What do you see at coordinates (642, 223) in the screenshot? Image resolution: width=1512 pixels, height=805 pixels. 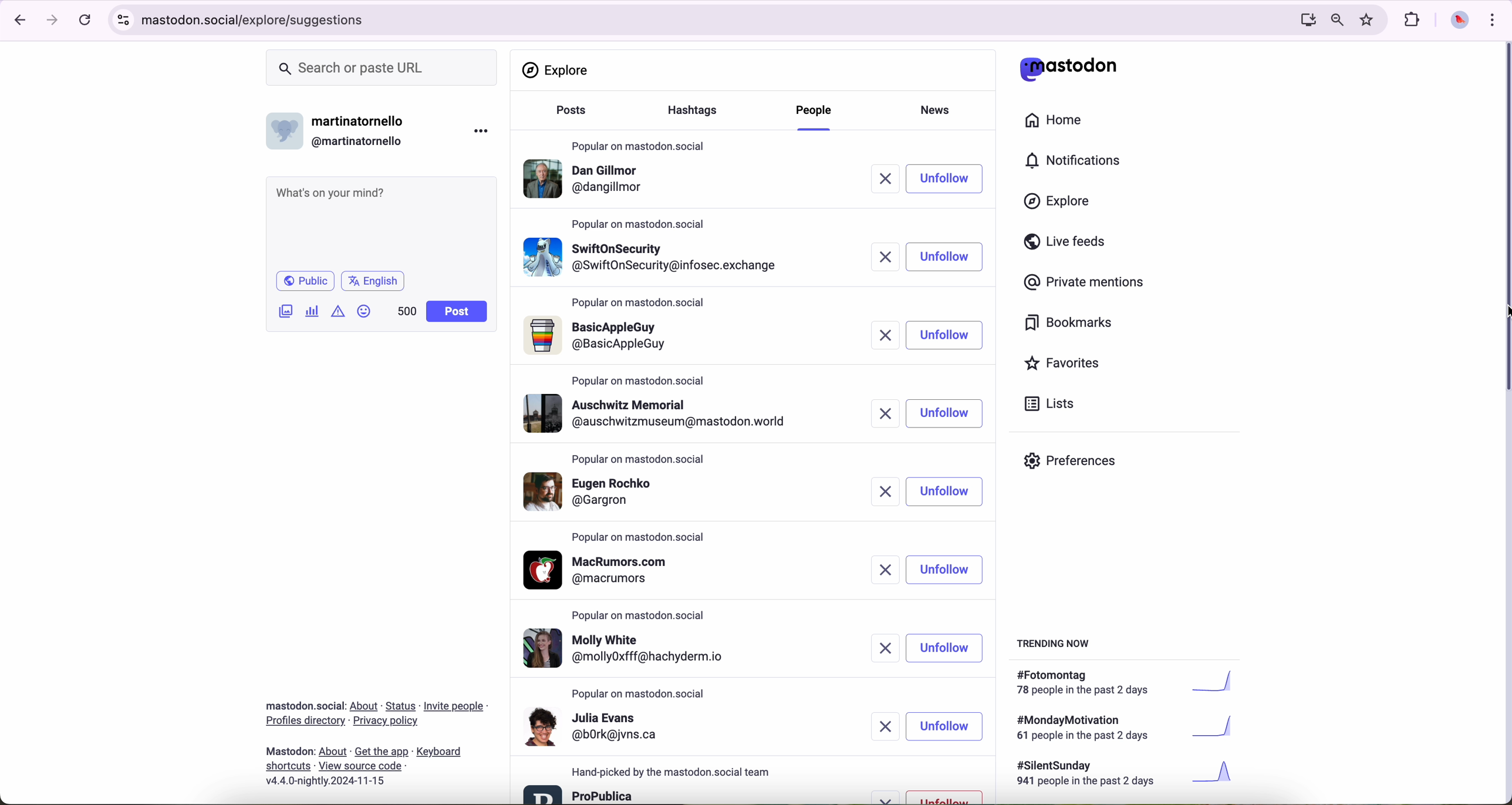 I see `popular on mastodon.social` at bounding box center [642, 223].